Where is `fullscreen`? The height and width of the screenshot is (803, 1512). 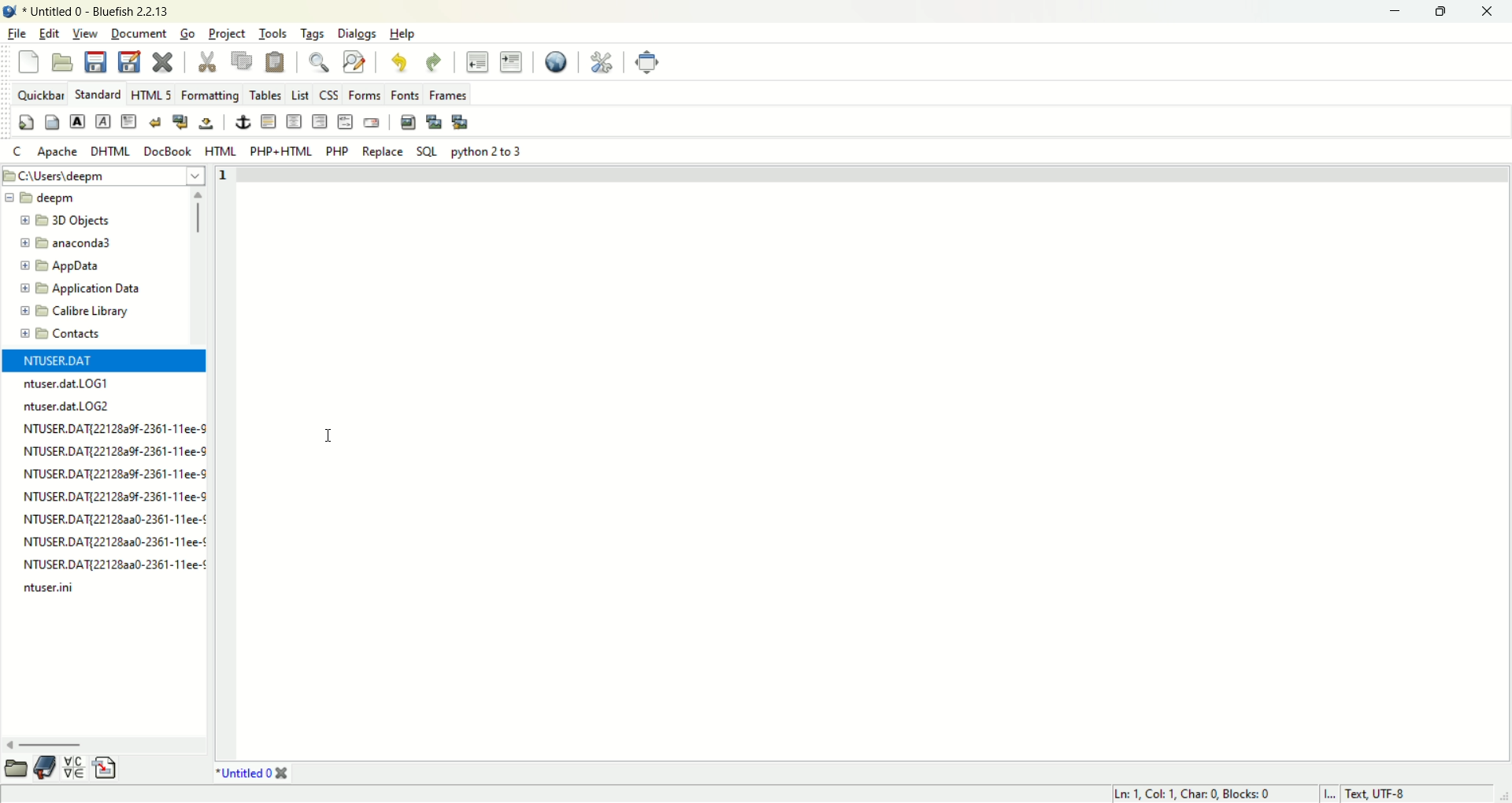
fullscreen is located at coordinates (647, 61).